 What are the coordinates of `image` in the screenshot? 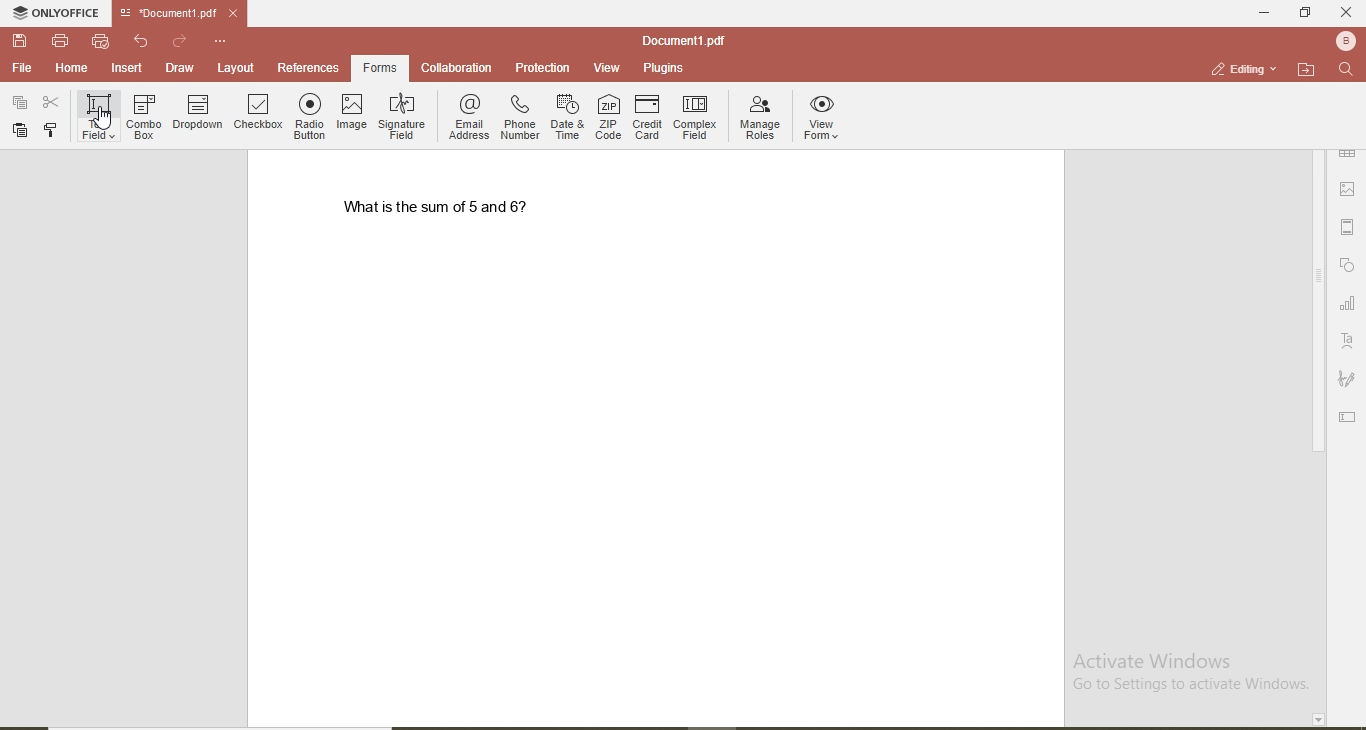 It's located at (1350, 191).